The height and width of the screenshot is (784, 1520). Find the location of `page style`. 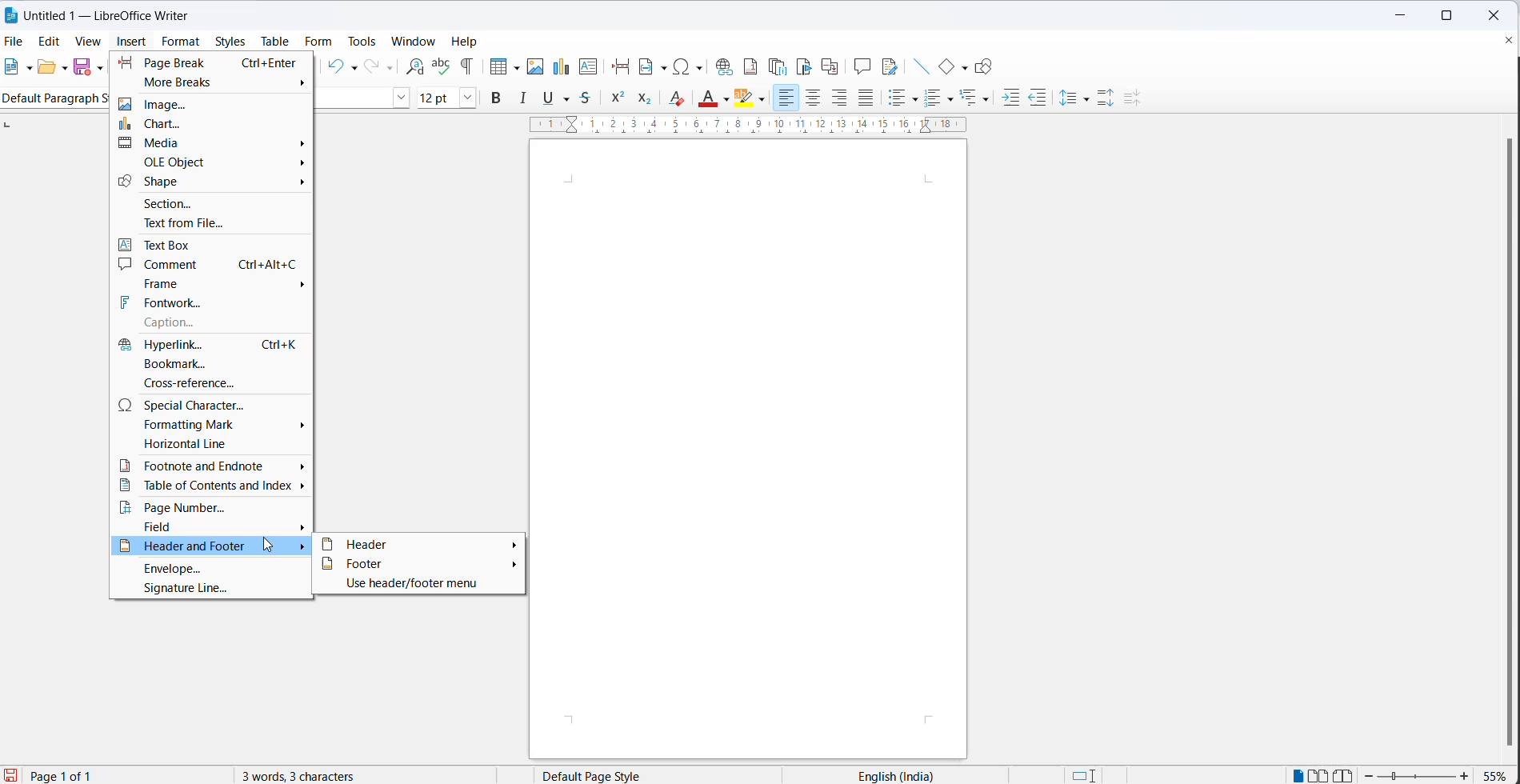

page style is located at coordinates (625, 775).